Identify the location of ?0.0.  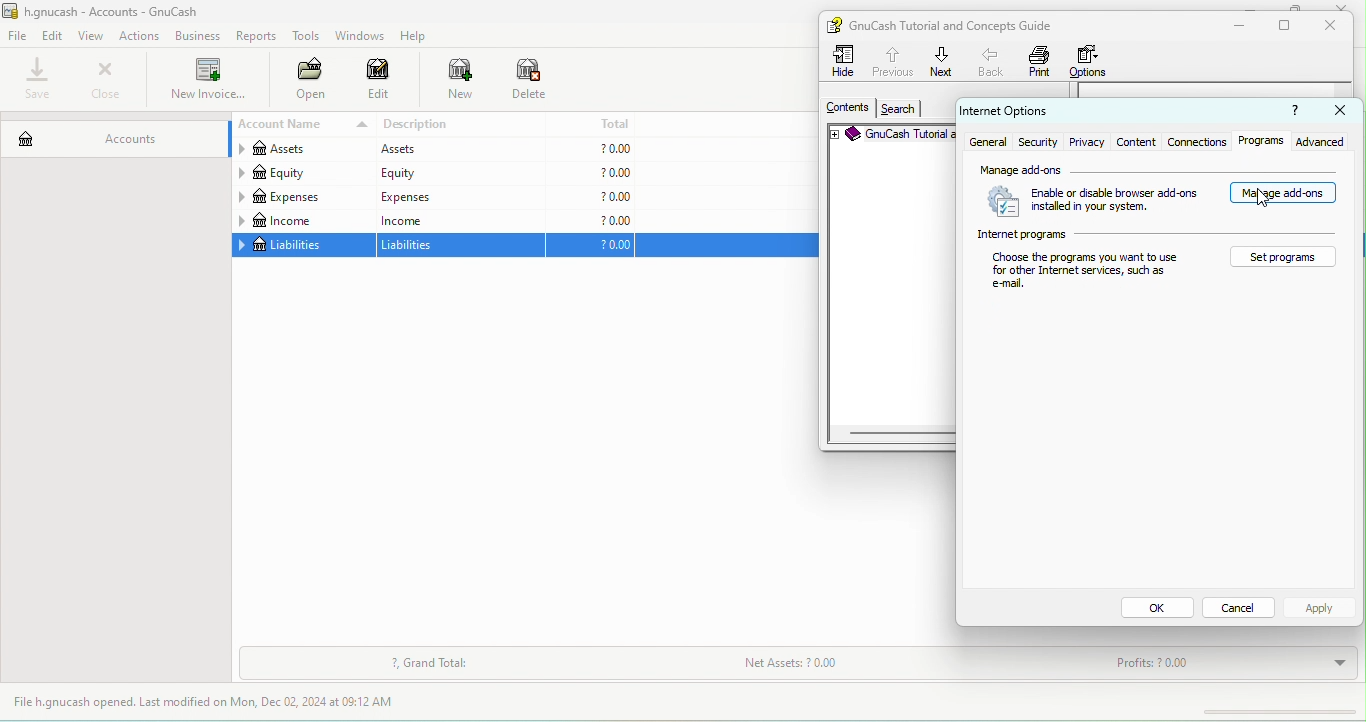
(595, 246).